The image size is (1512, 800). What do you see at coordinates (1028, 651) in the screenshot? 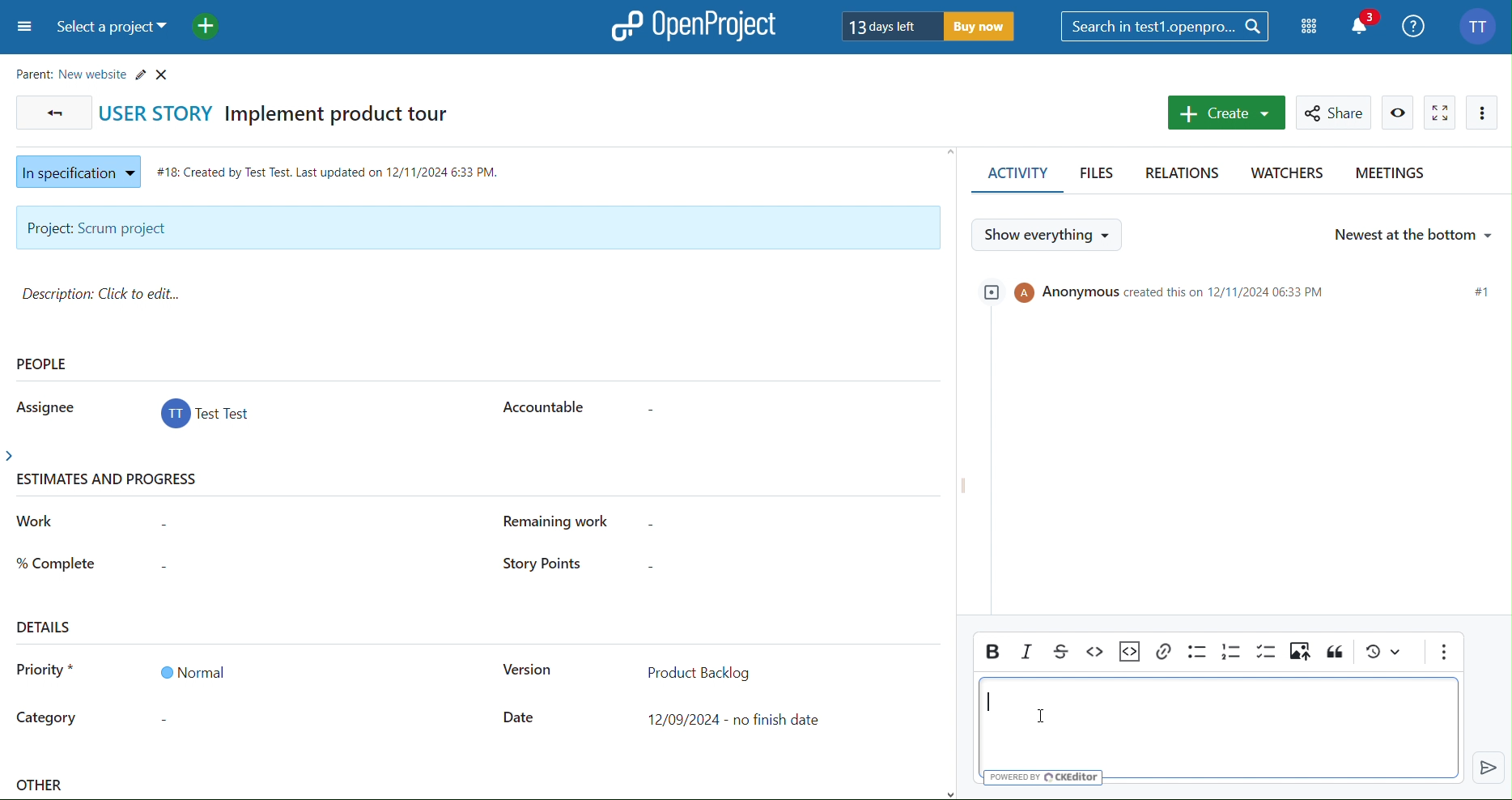
I see `Italic` at bounding box center [1028, 651].